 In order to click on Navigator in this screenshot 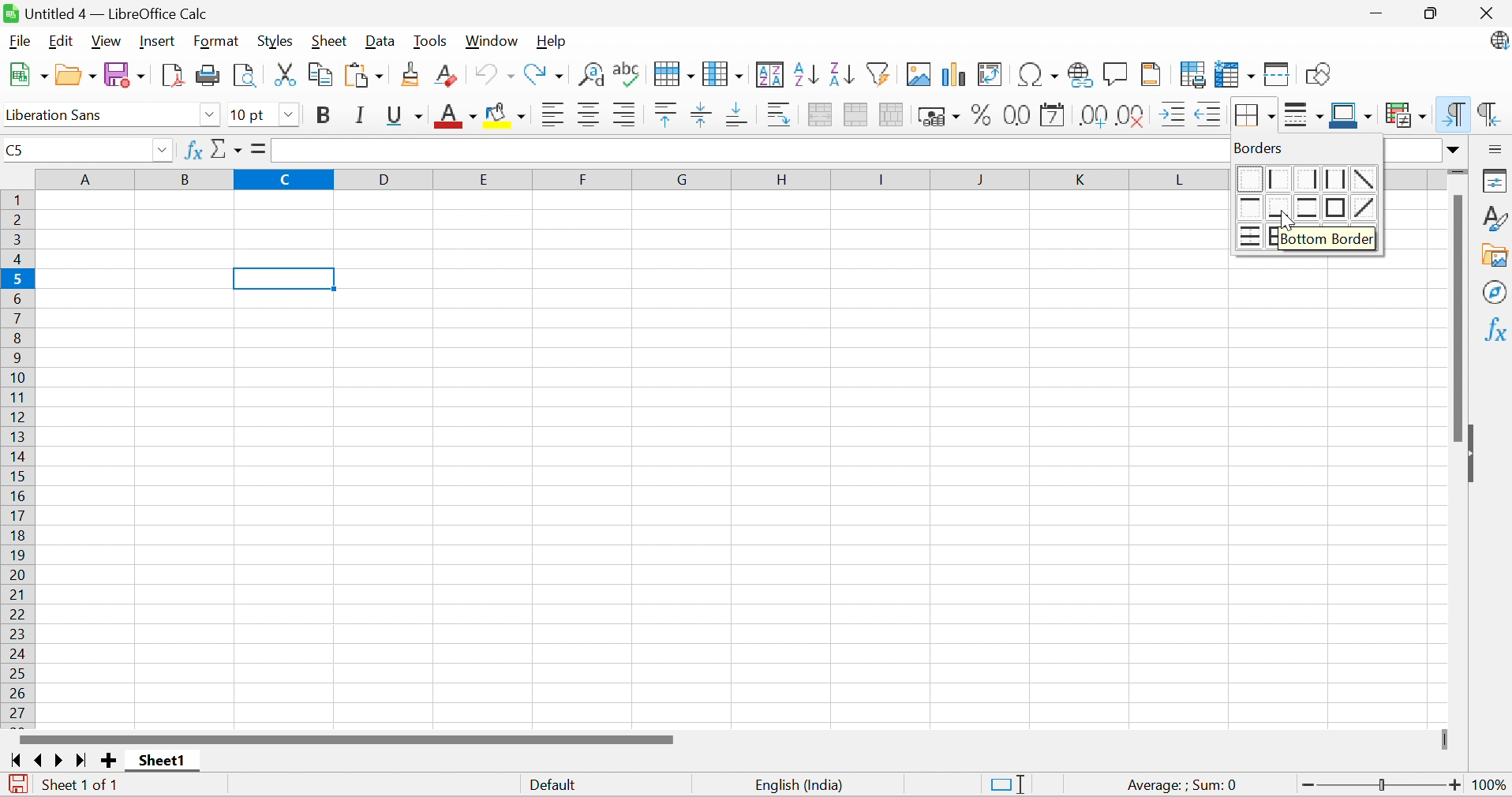, I will do `click(1496, 291)`.